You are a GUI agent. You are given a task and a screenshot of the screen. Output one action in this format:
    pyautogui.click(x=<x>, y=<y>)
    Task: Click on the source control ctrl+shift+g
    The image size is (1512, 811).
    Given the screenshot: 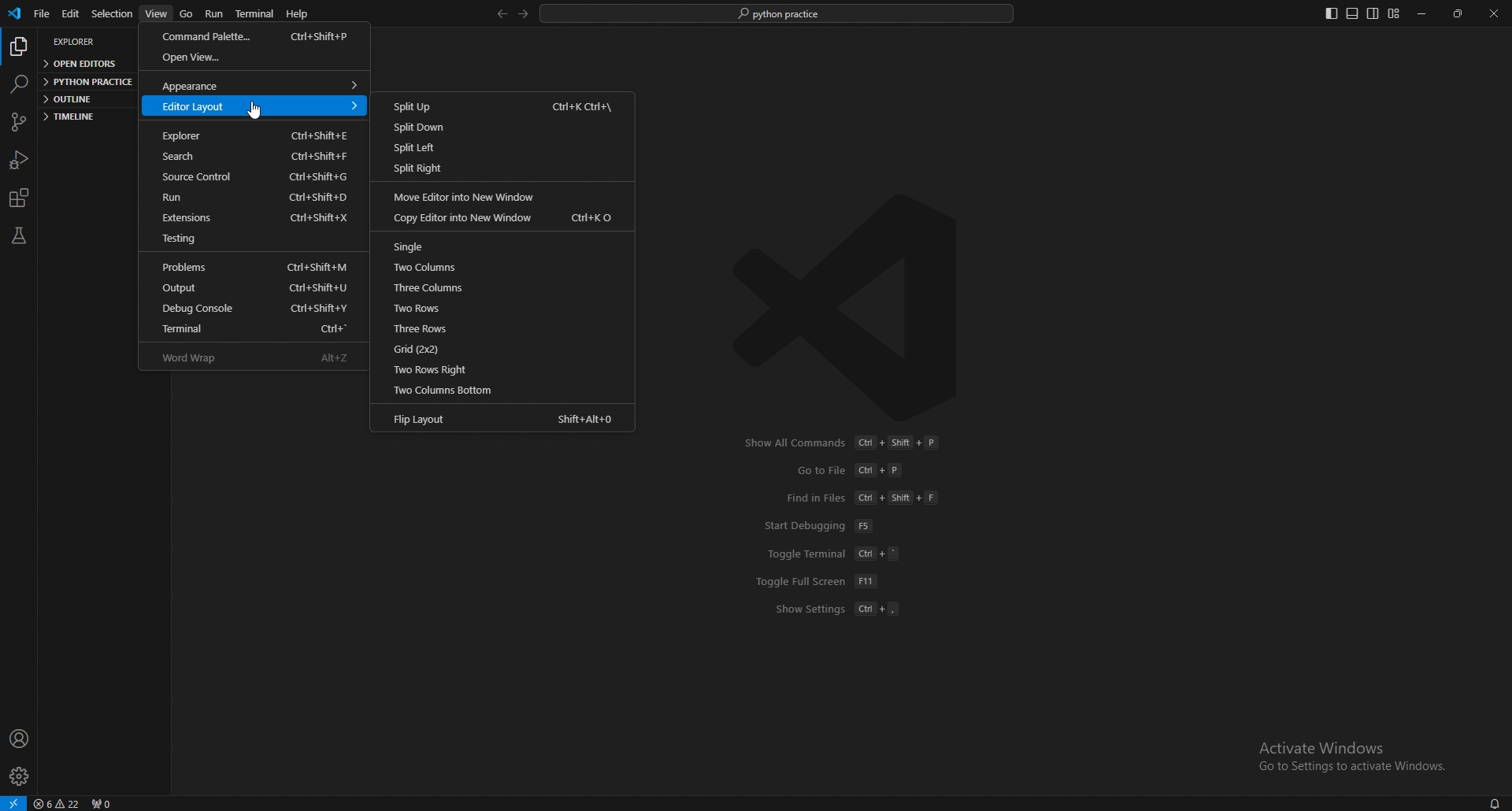 What is the action you would take?
    pyautogui.click(x=249, y=177)
    